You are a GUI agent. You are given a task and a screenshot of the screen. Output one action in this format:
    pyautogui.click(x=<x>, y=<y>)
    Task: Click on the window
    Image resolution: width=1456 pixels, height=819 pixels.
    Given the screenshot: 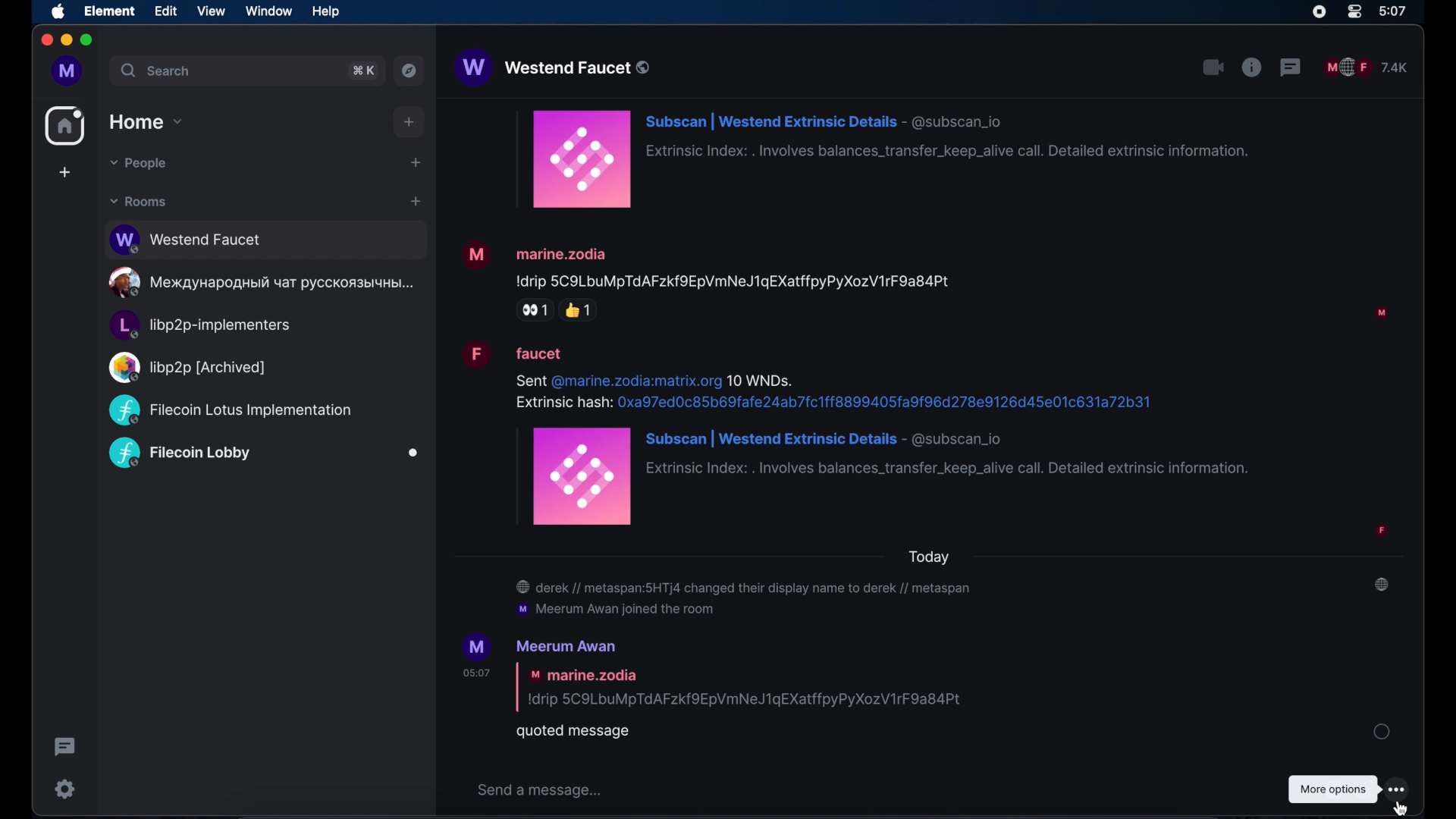 What is the action you would take?
    pyautogui.click(x=268, y=12)
    